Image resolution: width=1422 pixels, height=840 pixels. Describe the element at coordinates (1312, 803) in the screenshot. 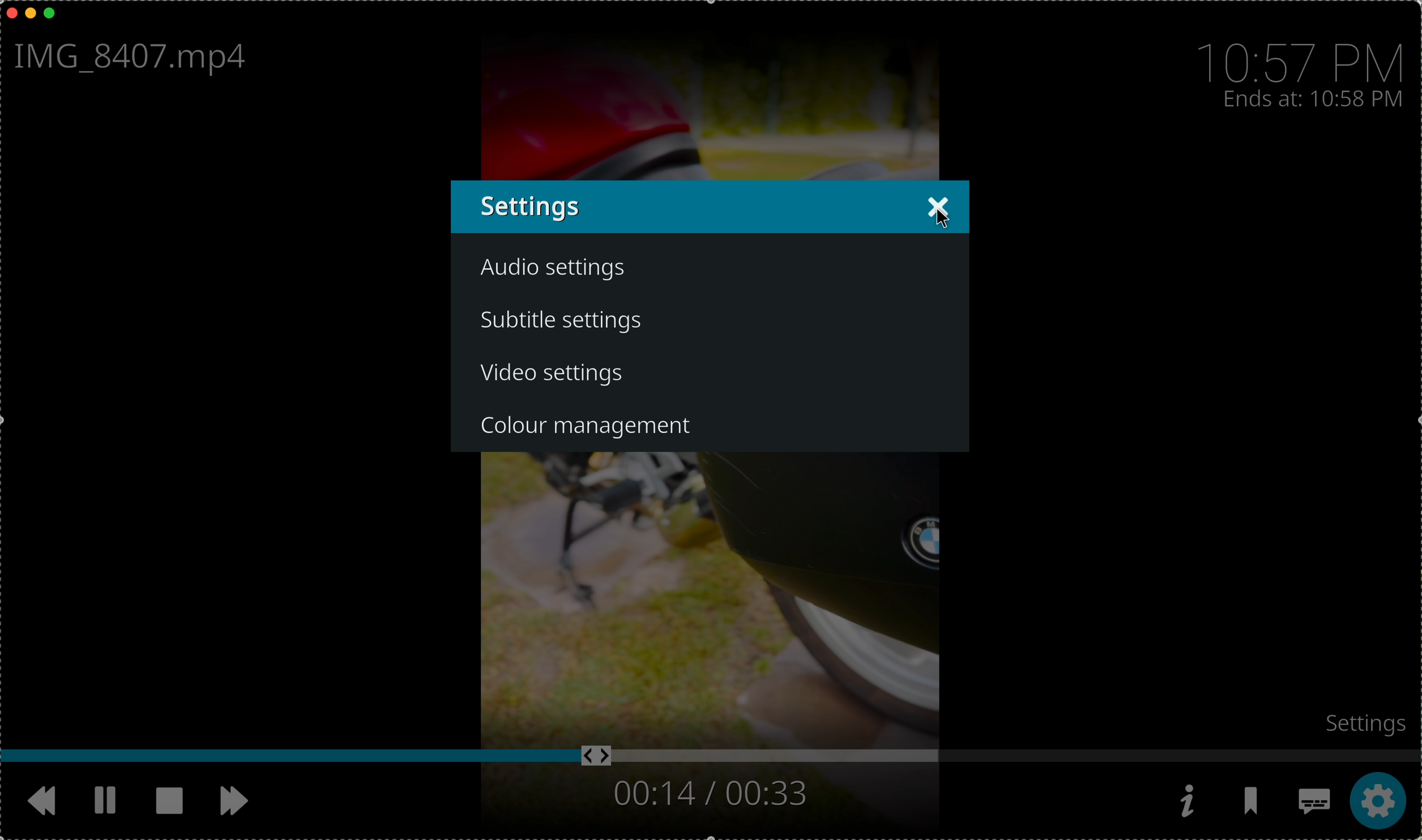

I see `subtitles` at that location.